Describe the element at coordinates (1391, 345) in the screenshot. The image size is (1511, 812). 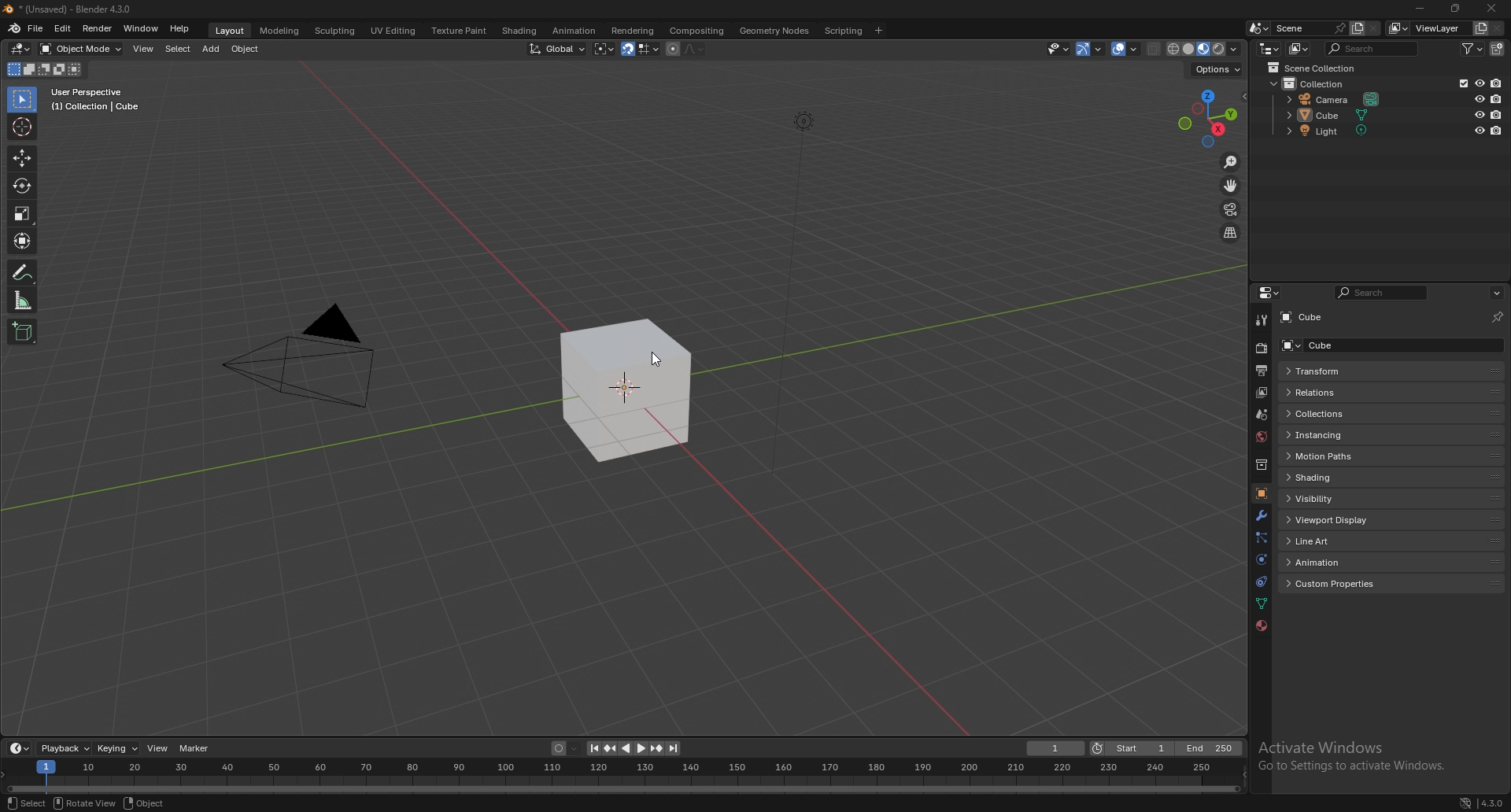
I see `cube` at that location.